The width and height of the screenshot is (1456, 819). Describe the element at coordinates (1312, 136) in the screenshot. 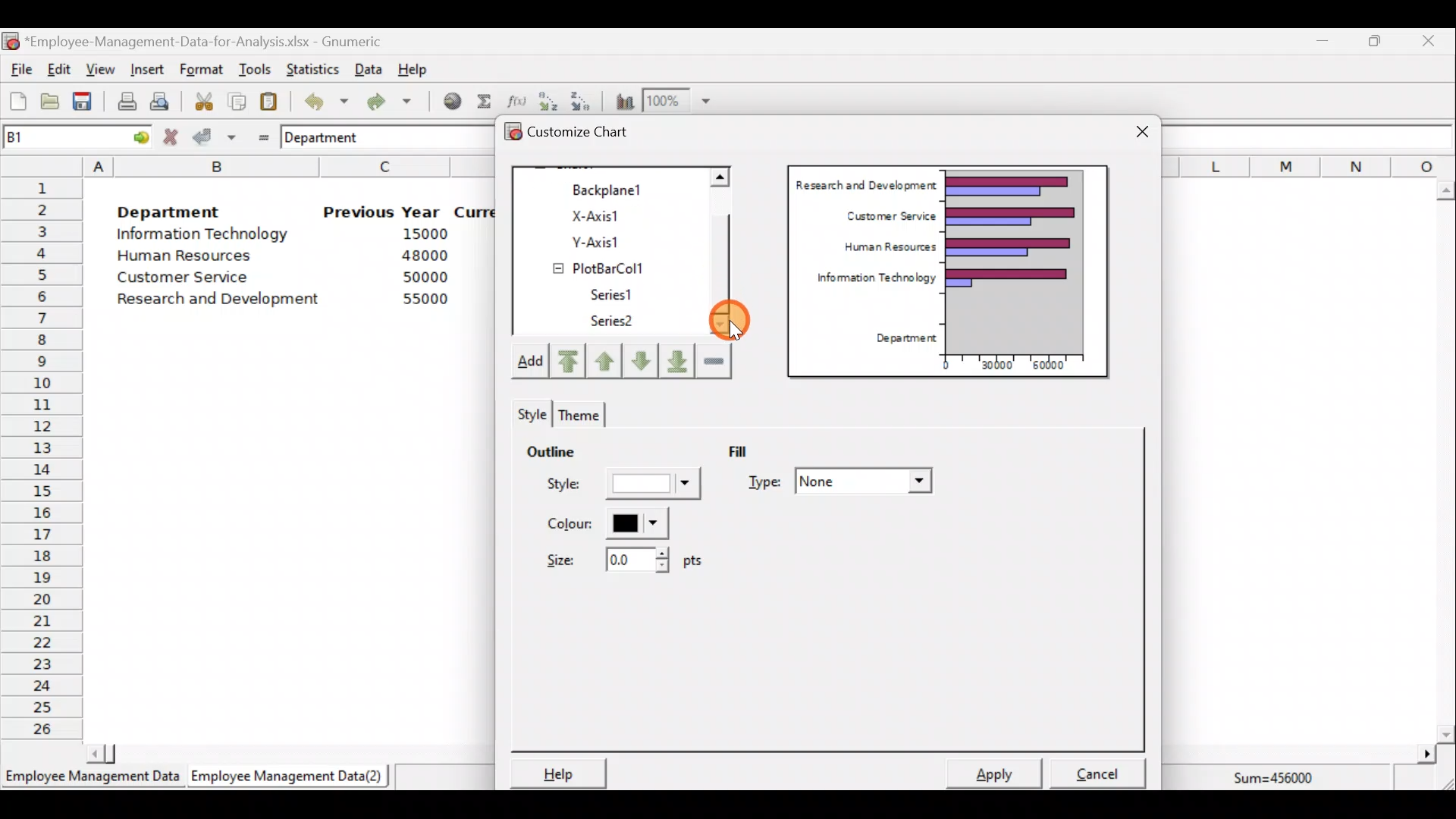

I see `Formula bar` at that location.